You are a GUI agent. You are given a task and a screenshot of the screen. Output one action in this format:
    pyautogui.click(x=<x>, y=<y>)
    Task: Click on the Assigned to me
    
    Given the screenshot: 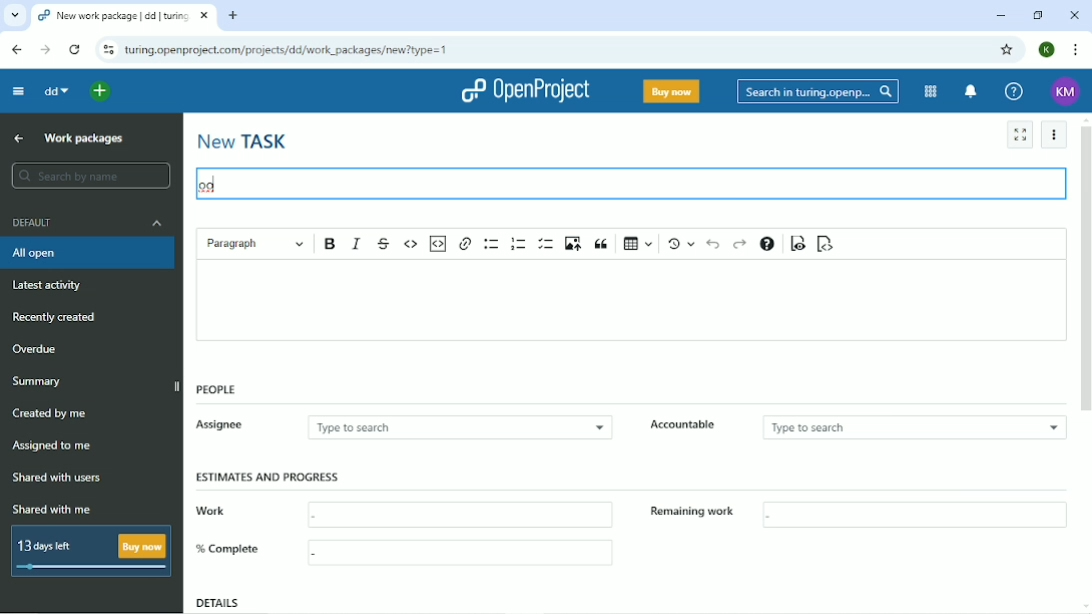 What is the action you would take?
    pyautogui.click(x=52, y=446)
    